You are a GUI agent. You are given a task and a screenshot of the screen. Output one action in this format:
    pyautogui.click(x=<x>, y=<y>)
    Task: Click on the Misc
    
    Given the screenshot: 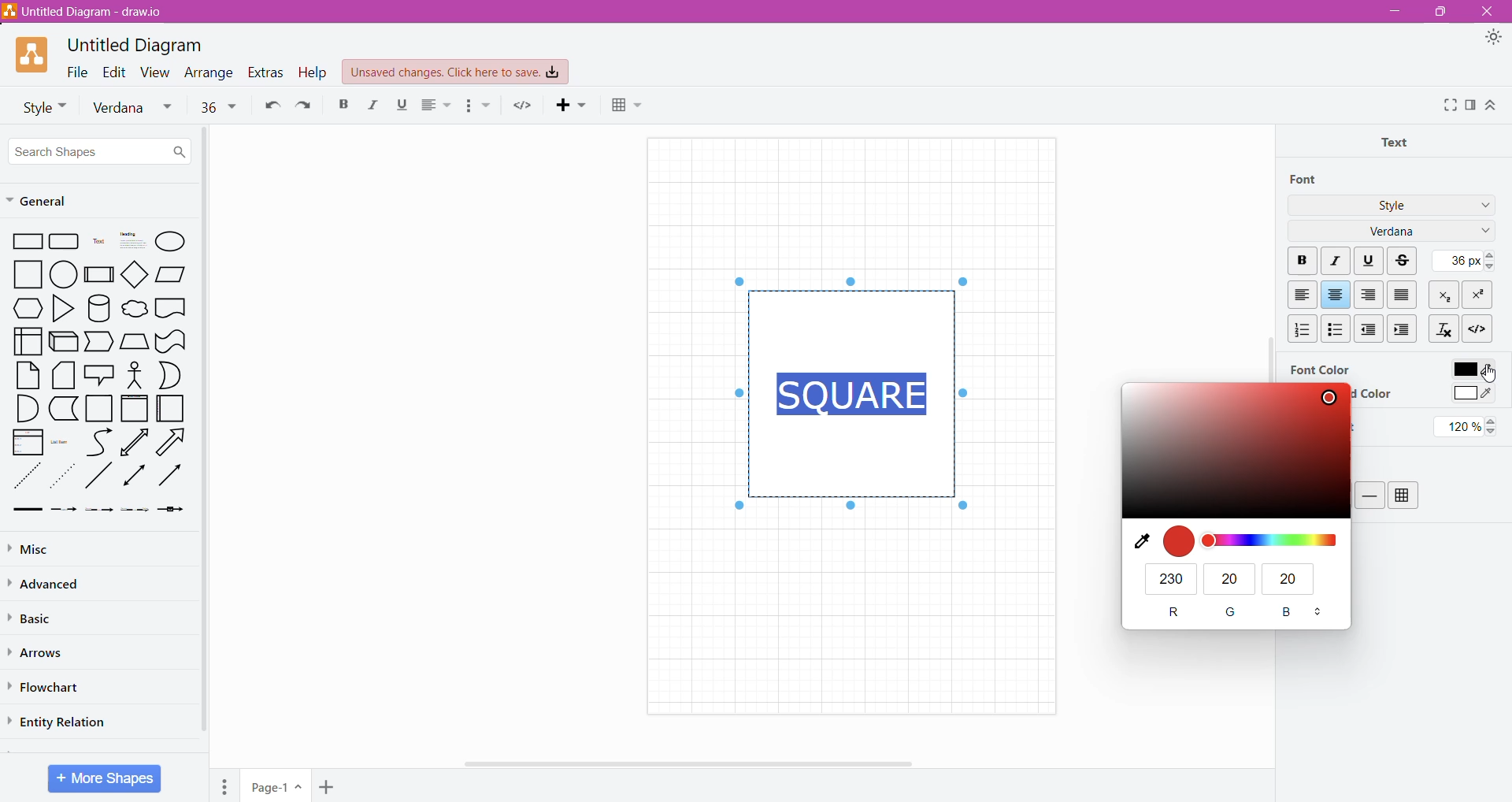 What is the action you would take?
    pyautogui.click(x=47, y=547)
    